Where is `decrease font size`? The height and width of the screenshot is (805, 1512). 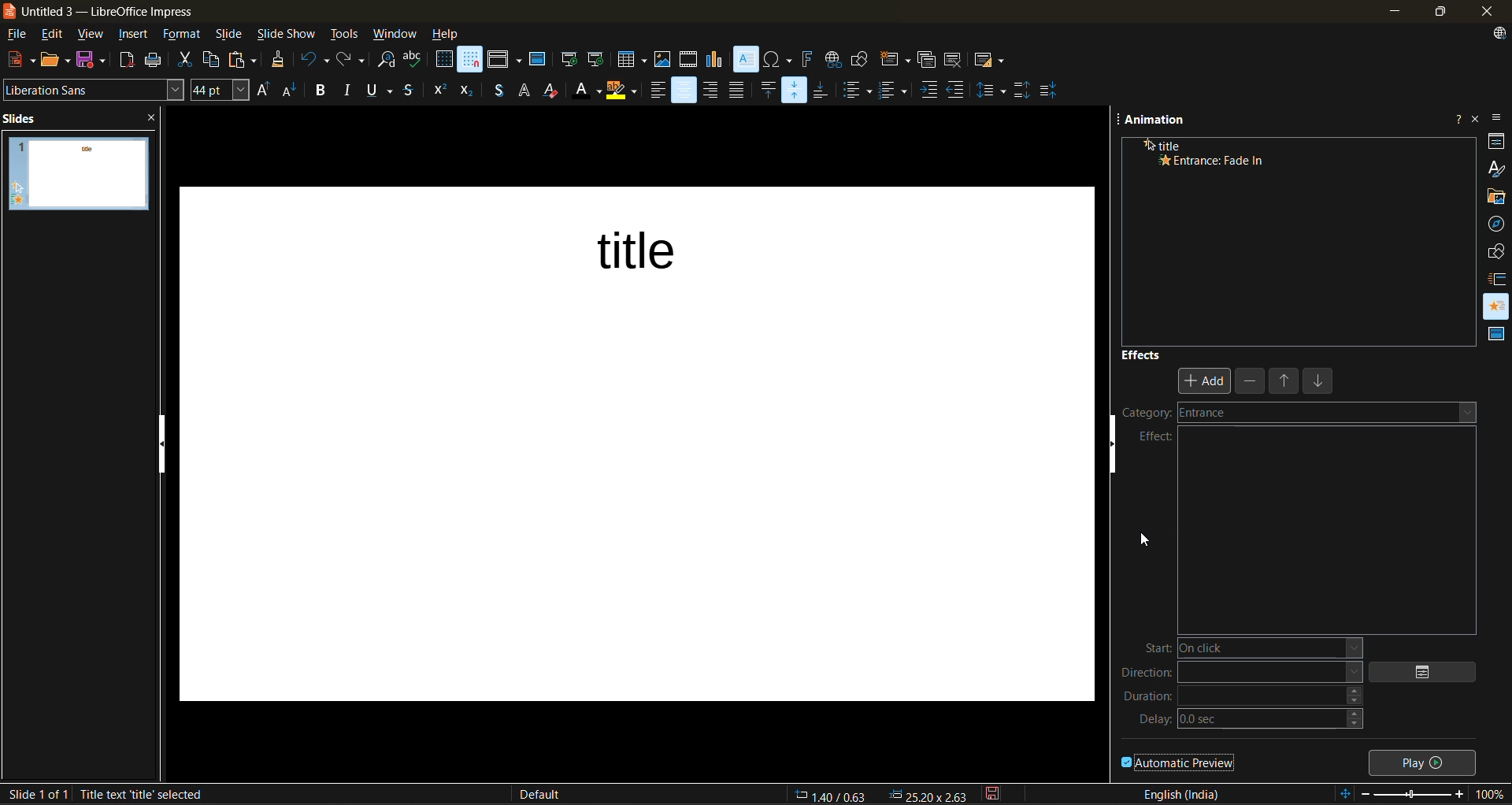
decrease font size is located at coordinates (291, 93).